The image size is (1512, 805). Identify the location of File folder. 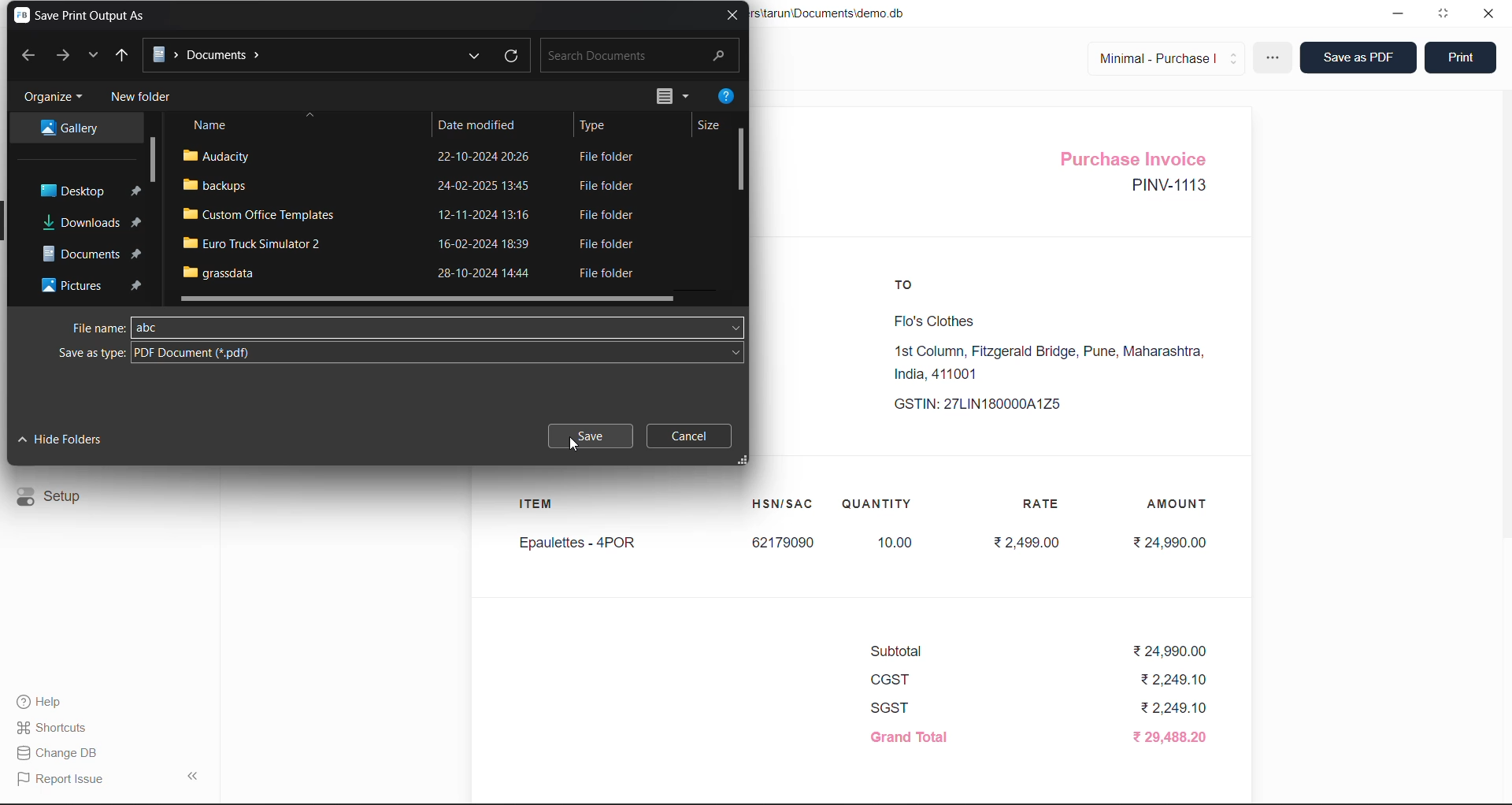
(609, 184).